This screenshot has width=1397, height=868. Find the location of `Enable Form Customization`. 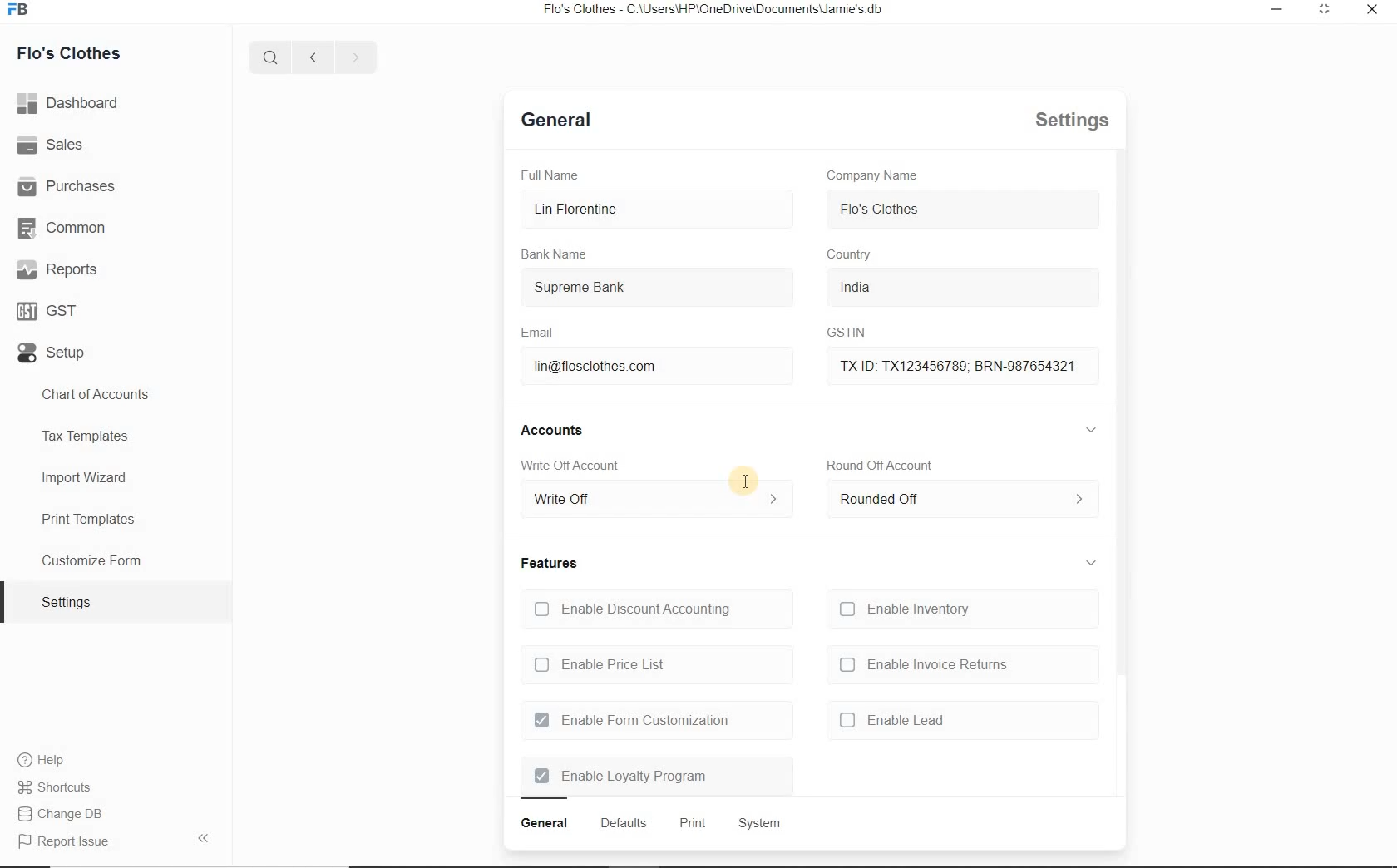

Enable Form Customization is located at coordinates (634, 724).